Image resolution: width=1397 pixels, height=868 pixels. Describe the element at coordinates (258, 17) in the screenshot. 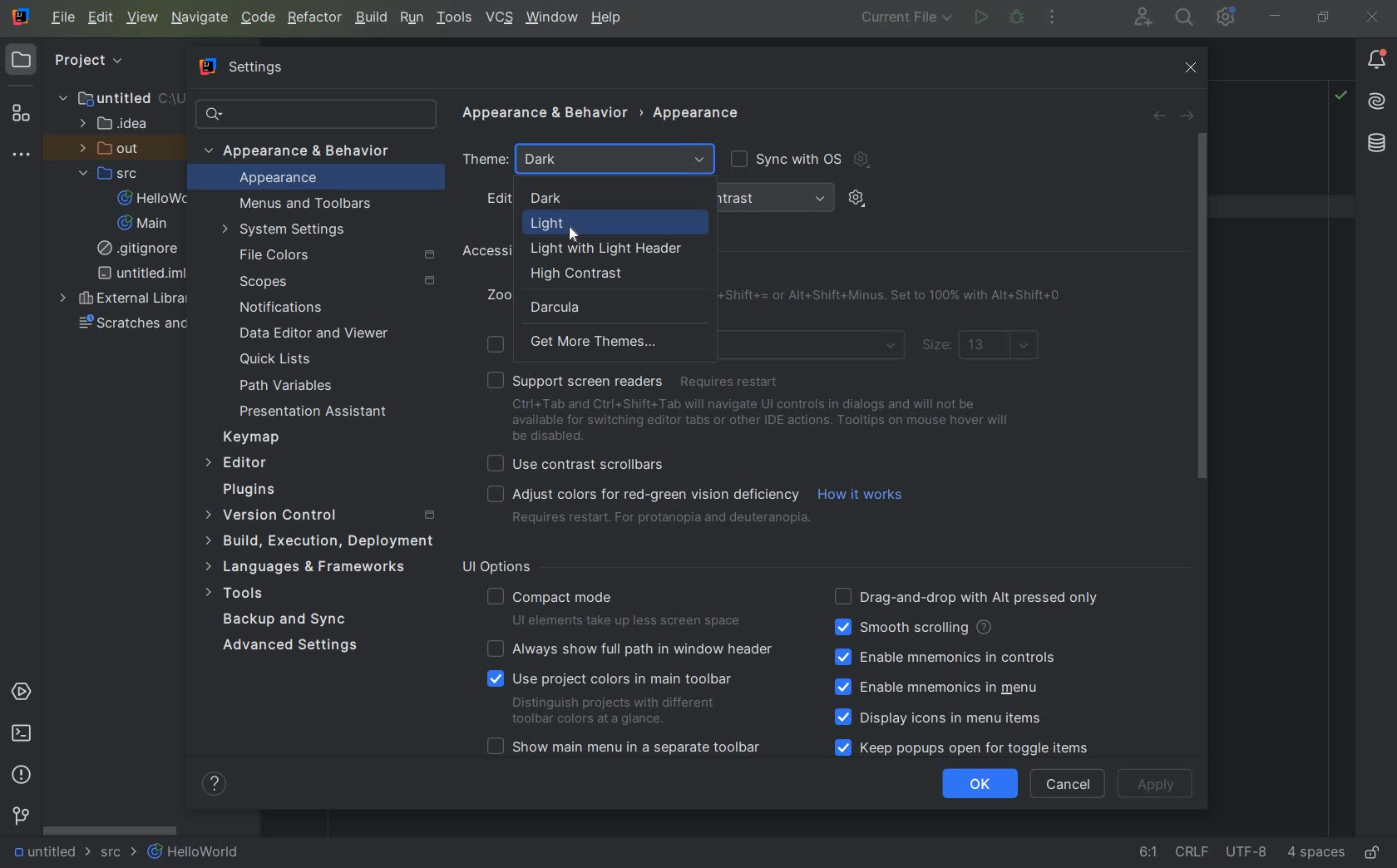

I see `CODE` at that location.